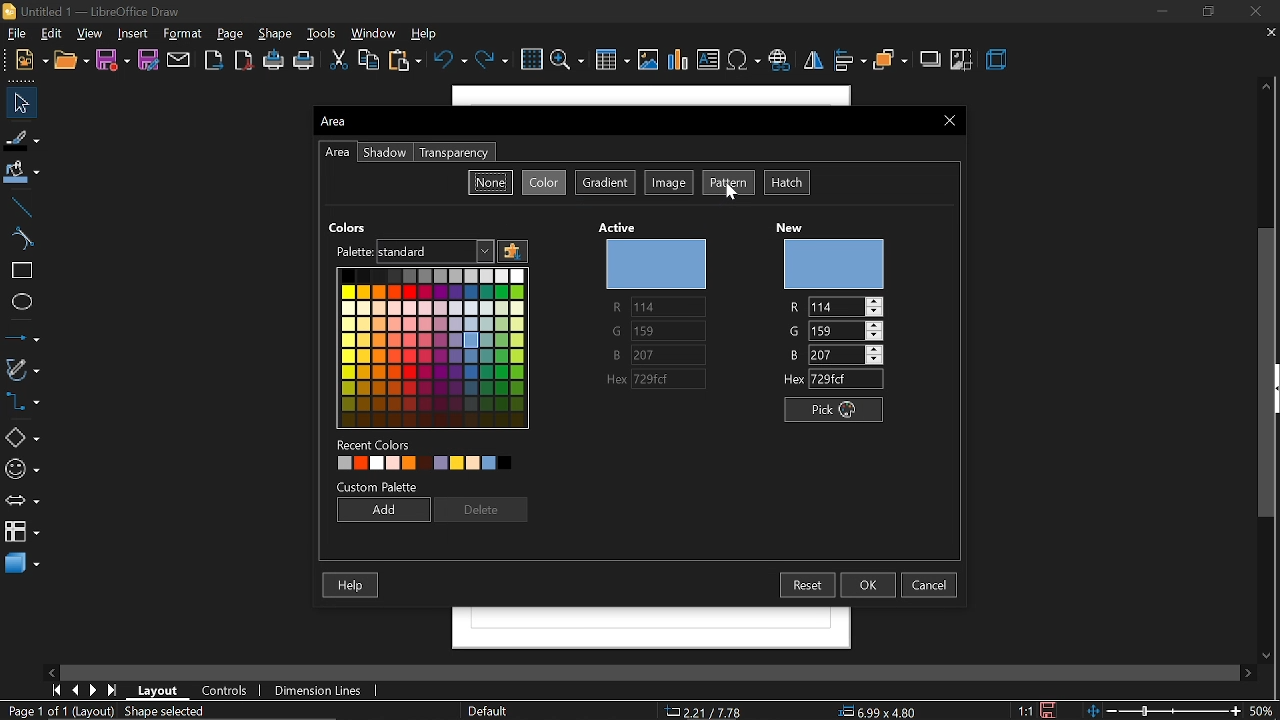 This screenshot has height=720, width=1280. What do you see at coordinates (211, 60) in the screenshot?
I see `export` at bounding box center [211, 60].